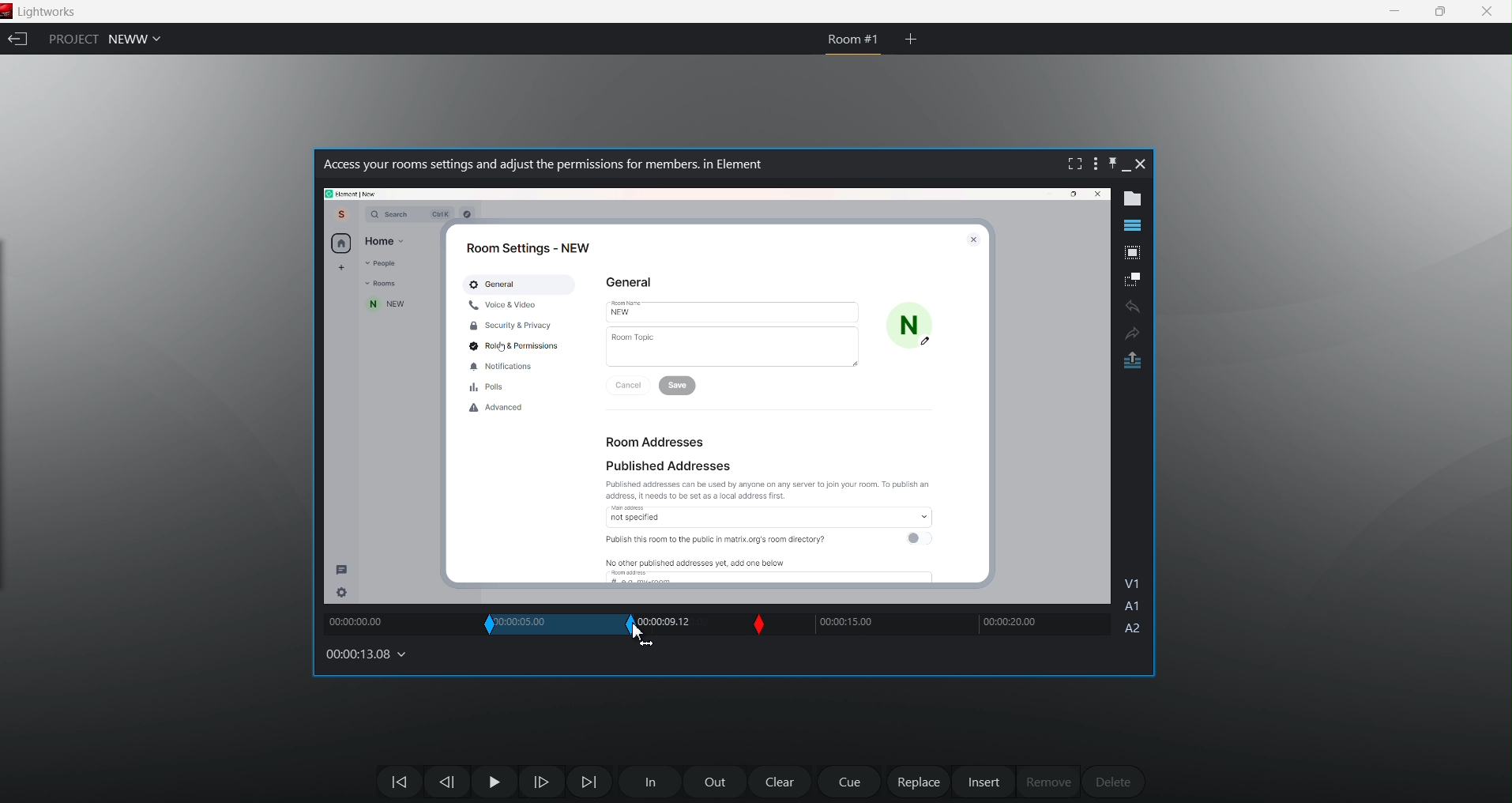  What do you see at coordinates (340, 243) in the screenshot?
I see `home` at bounding box center [340, 243].